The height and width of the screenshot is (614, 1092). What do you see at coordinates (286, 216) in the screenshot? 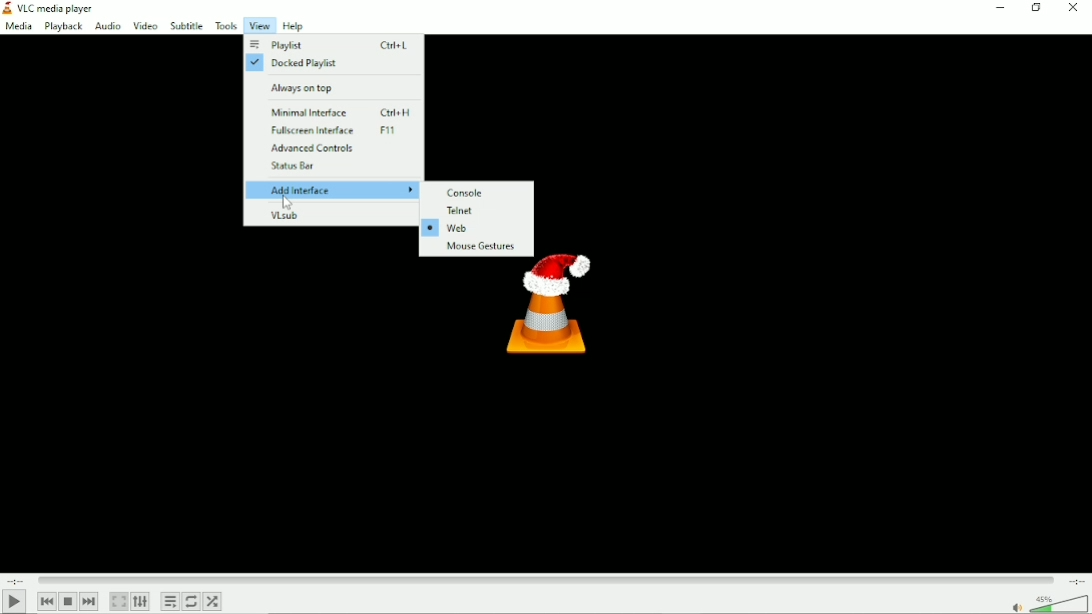
I see `VLsub` at bounding box center [286, 216].